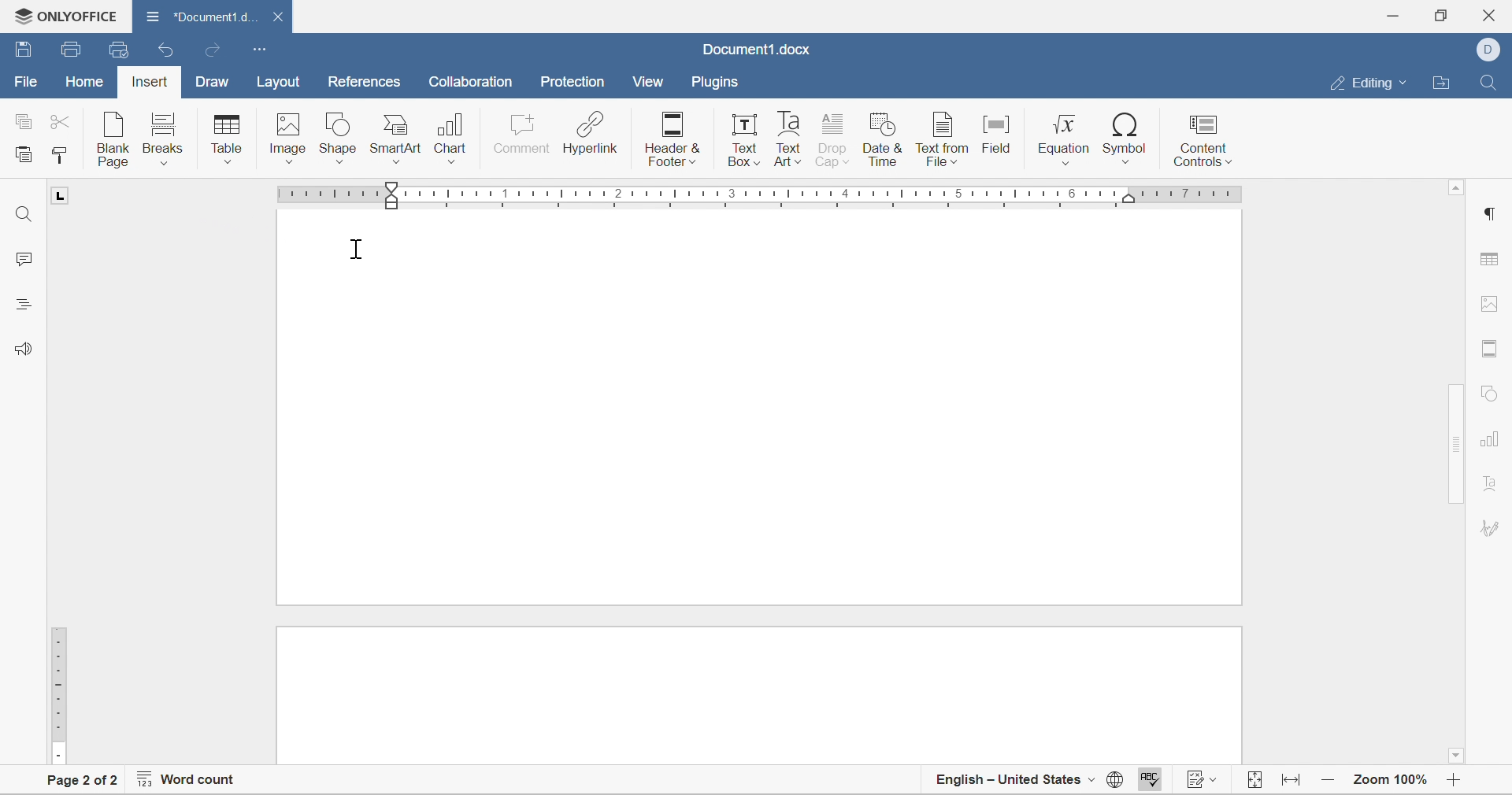  I want to click on Text box, so click(745, 141).